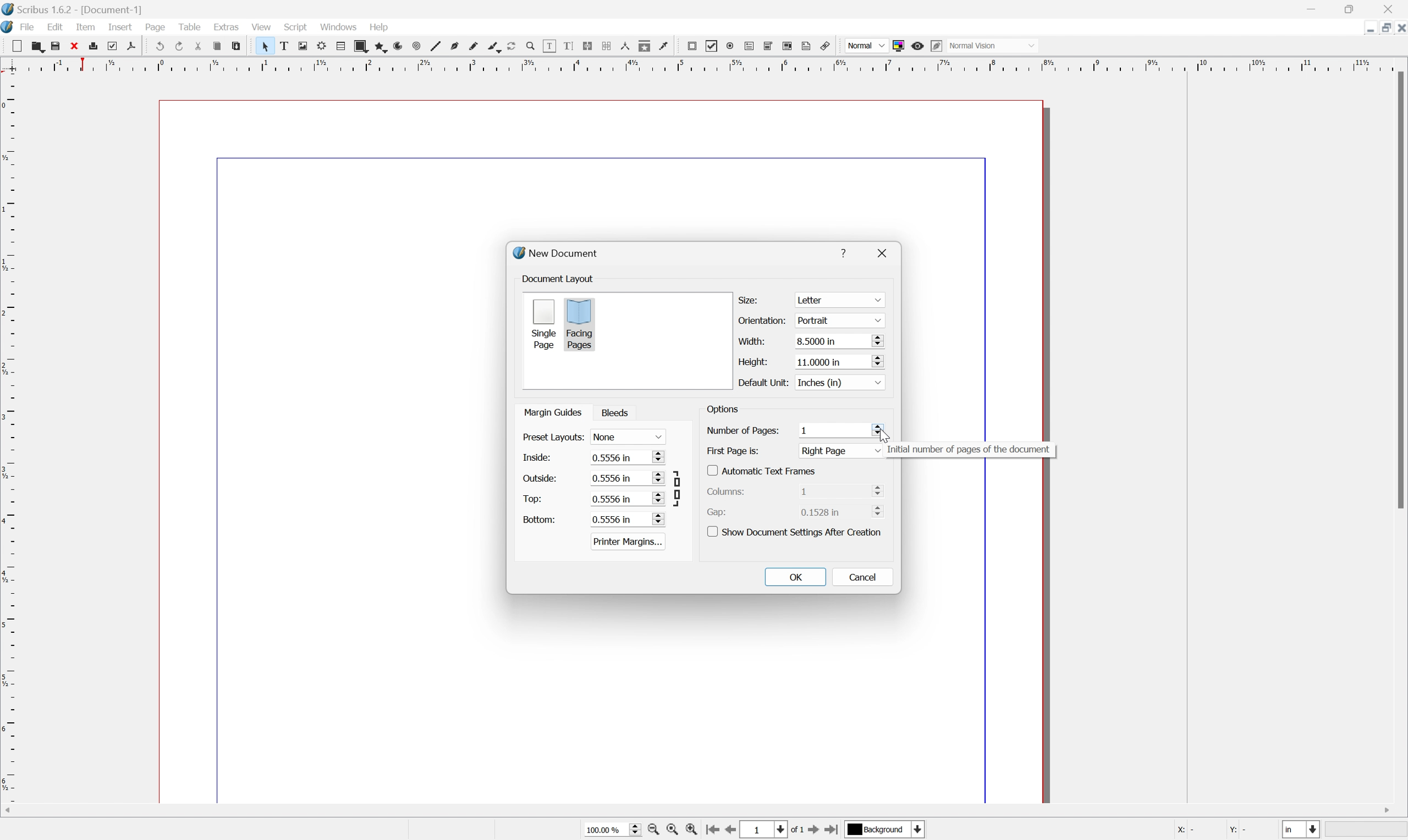 This screenshot has width=1408, height=840. Describe the element at coordinates (78, 46) in the screenshot. I see `Close` at that location.